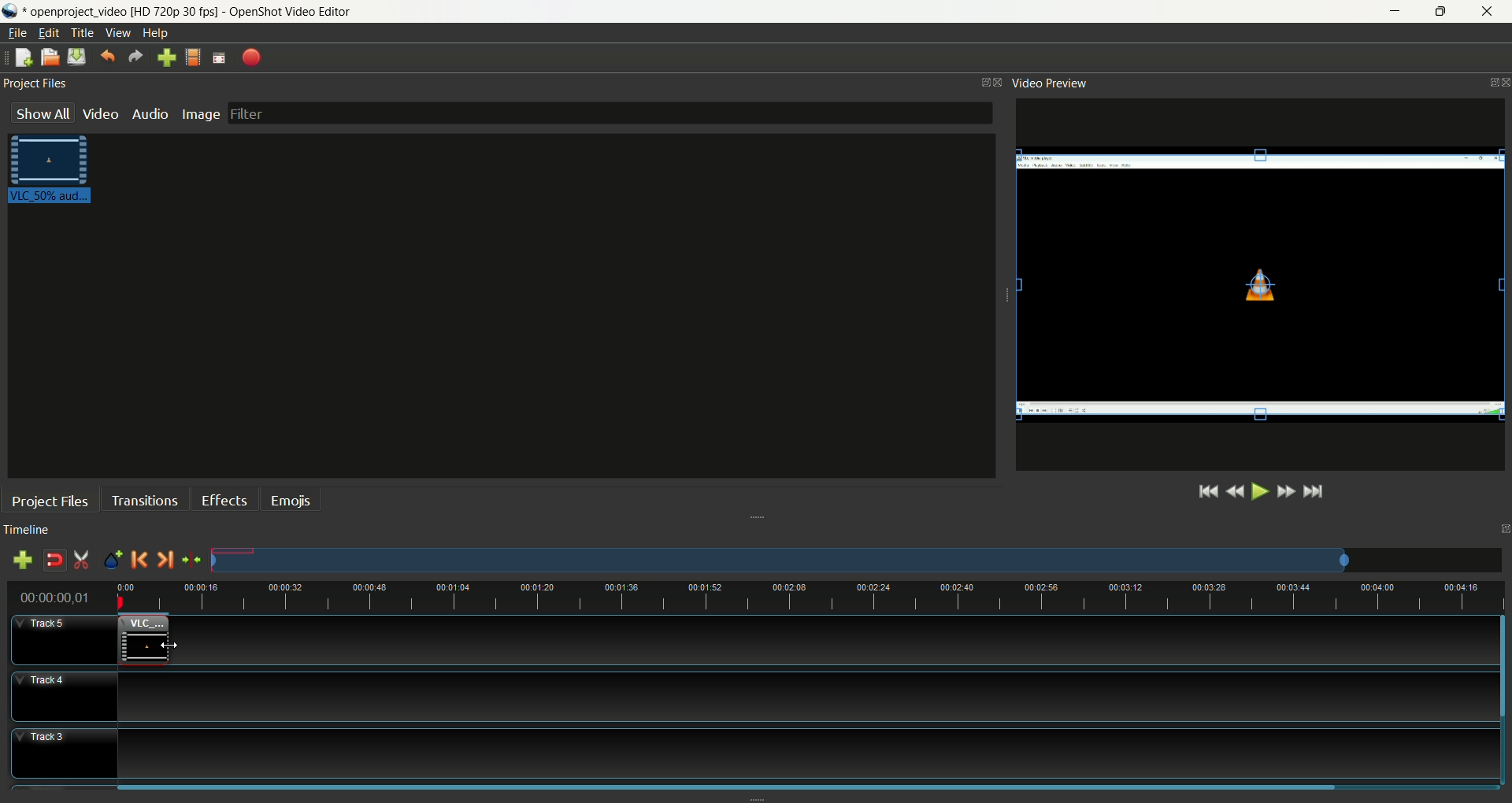 The image size is (1512, 803). I want to click on close, so click(1490, 13).